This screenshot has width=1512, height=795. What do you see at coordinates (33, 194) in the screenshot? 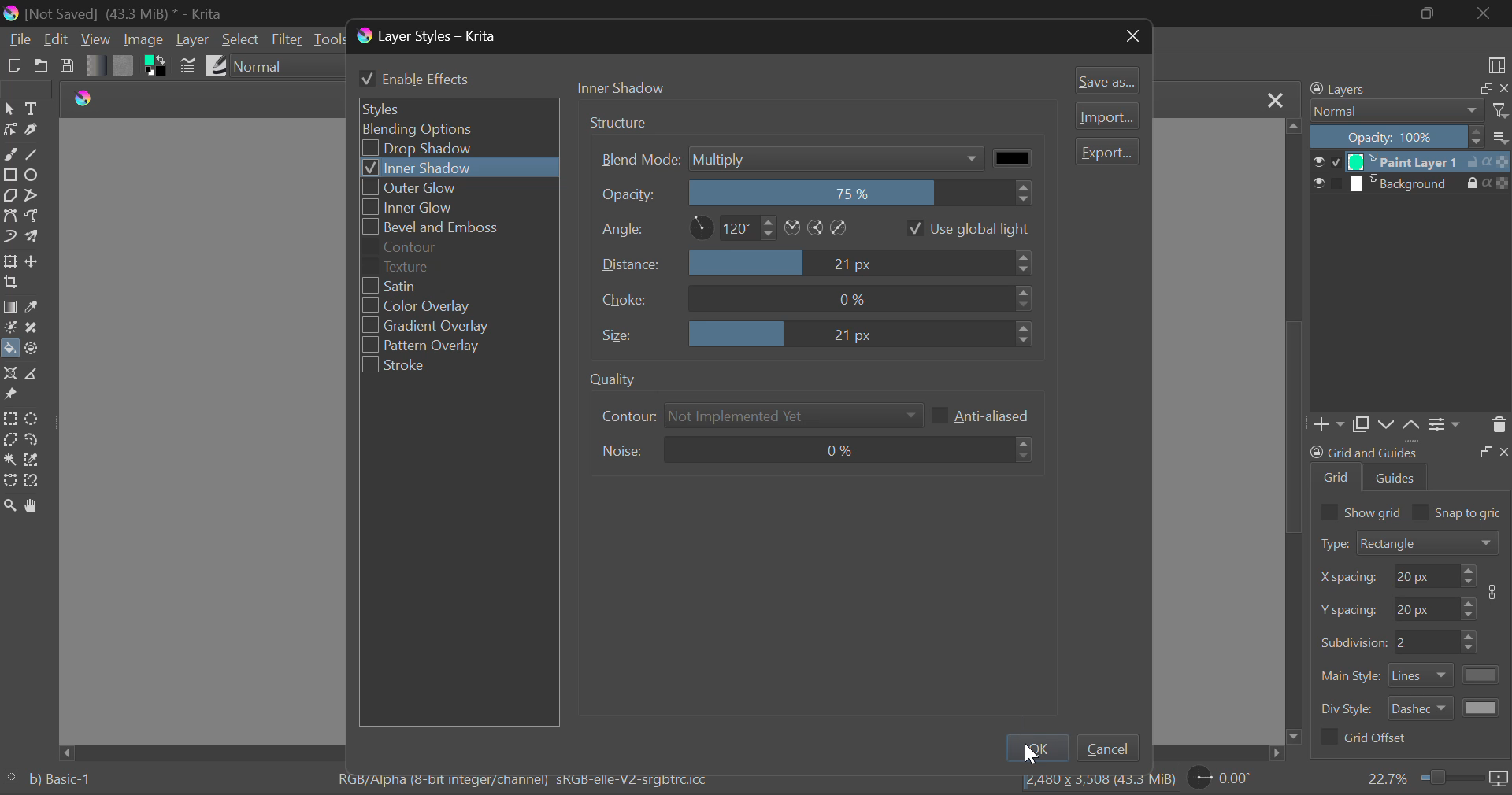
I see `Polyline` at bounding box center [33, 194].